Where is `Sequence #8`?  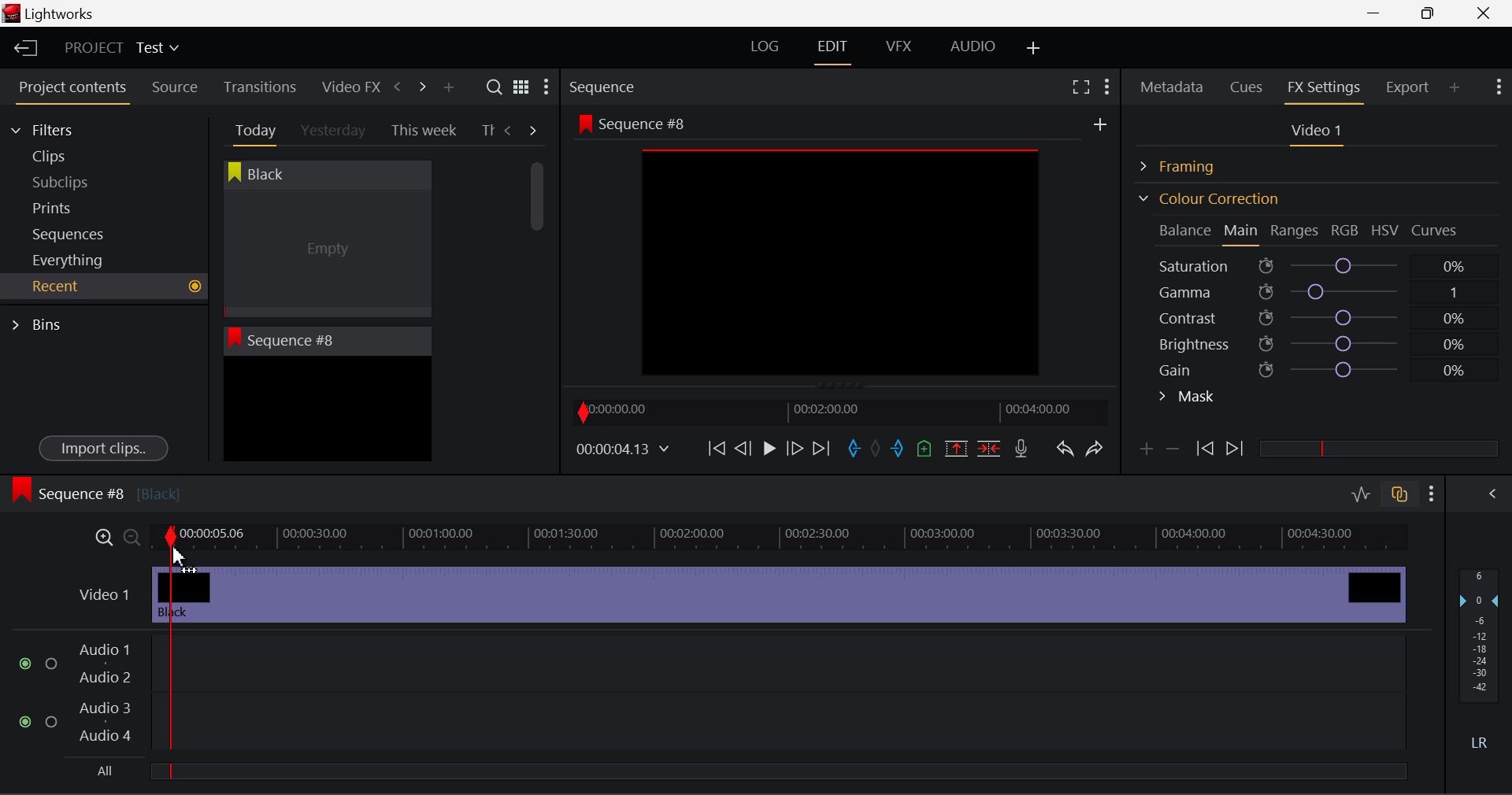
Sequence #8 is located at coordinates (95, 490).